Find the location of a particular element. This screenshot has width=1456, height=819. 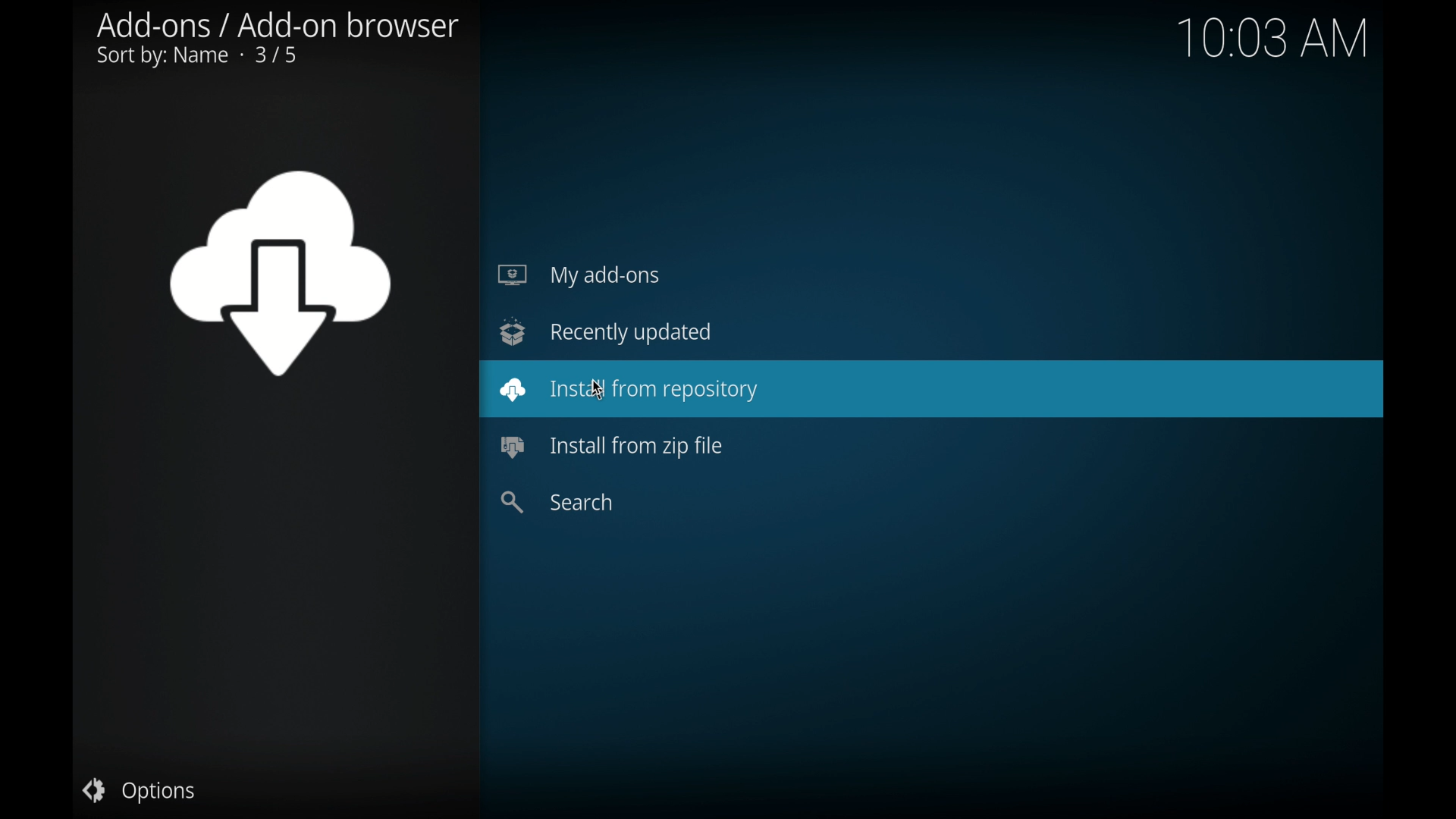

add-ons/ add-on browser is located at coordinates (278, 40).